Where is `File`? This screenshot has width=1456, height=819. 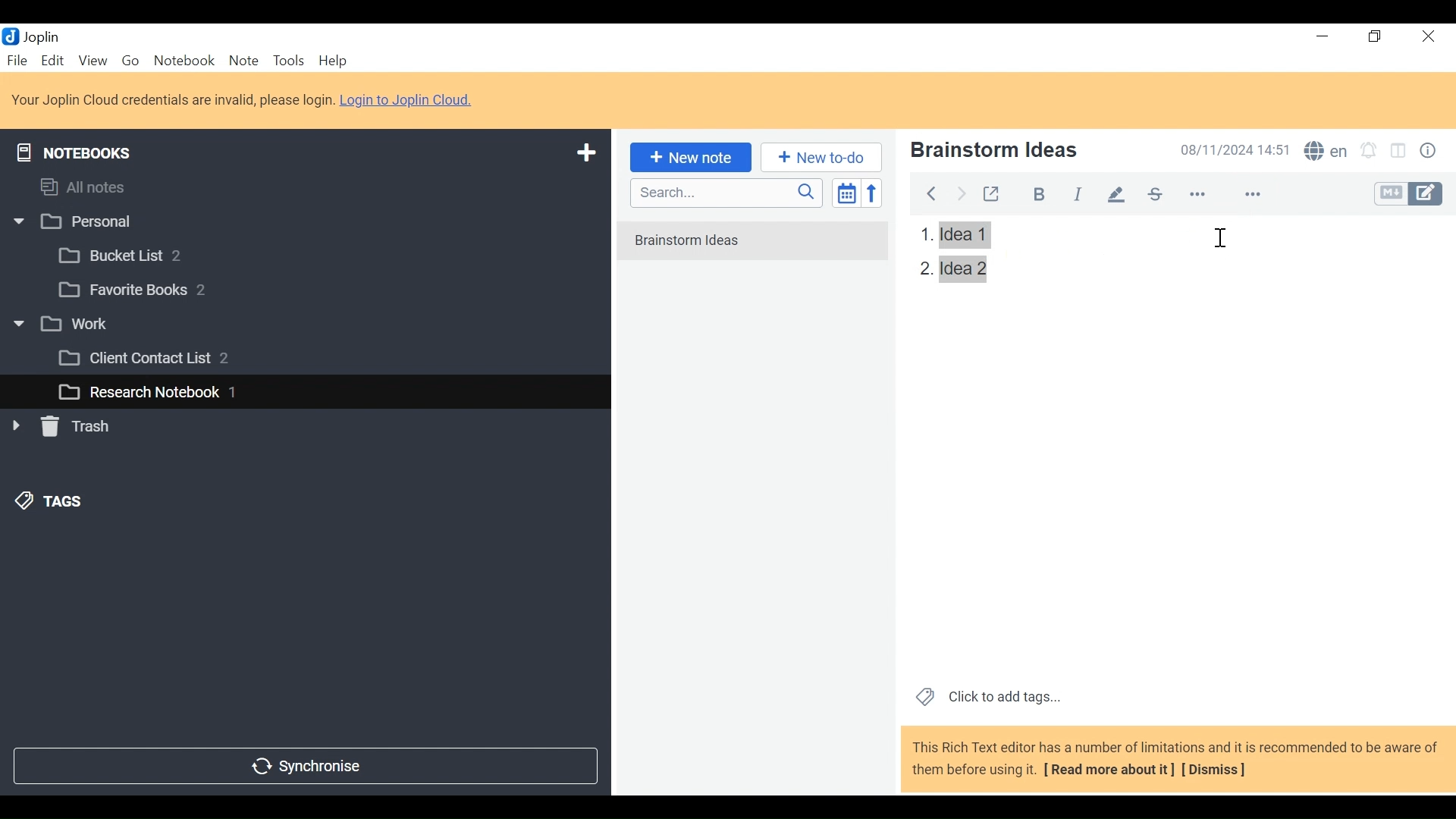
File is located at coordinates (19, 60).